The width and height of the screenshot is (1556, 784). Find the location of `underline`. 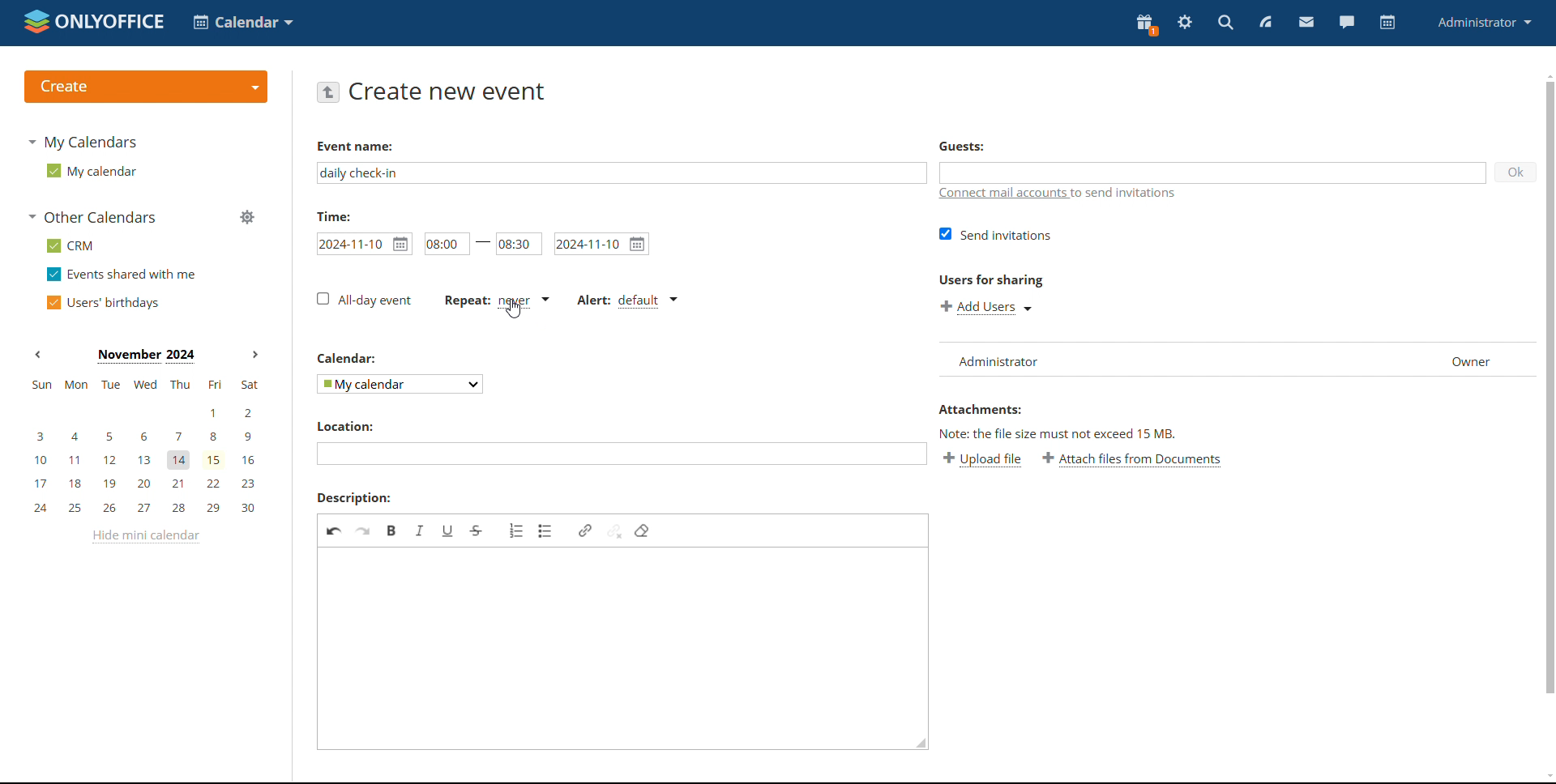

underline is located at coordinates (448, 530).